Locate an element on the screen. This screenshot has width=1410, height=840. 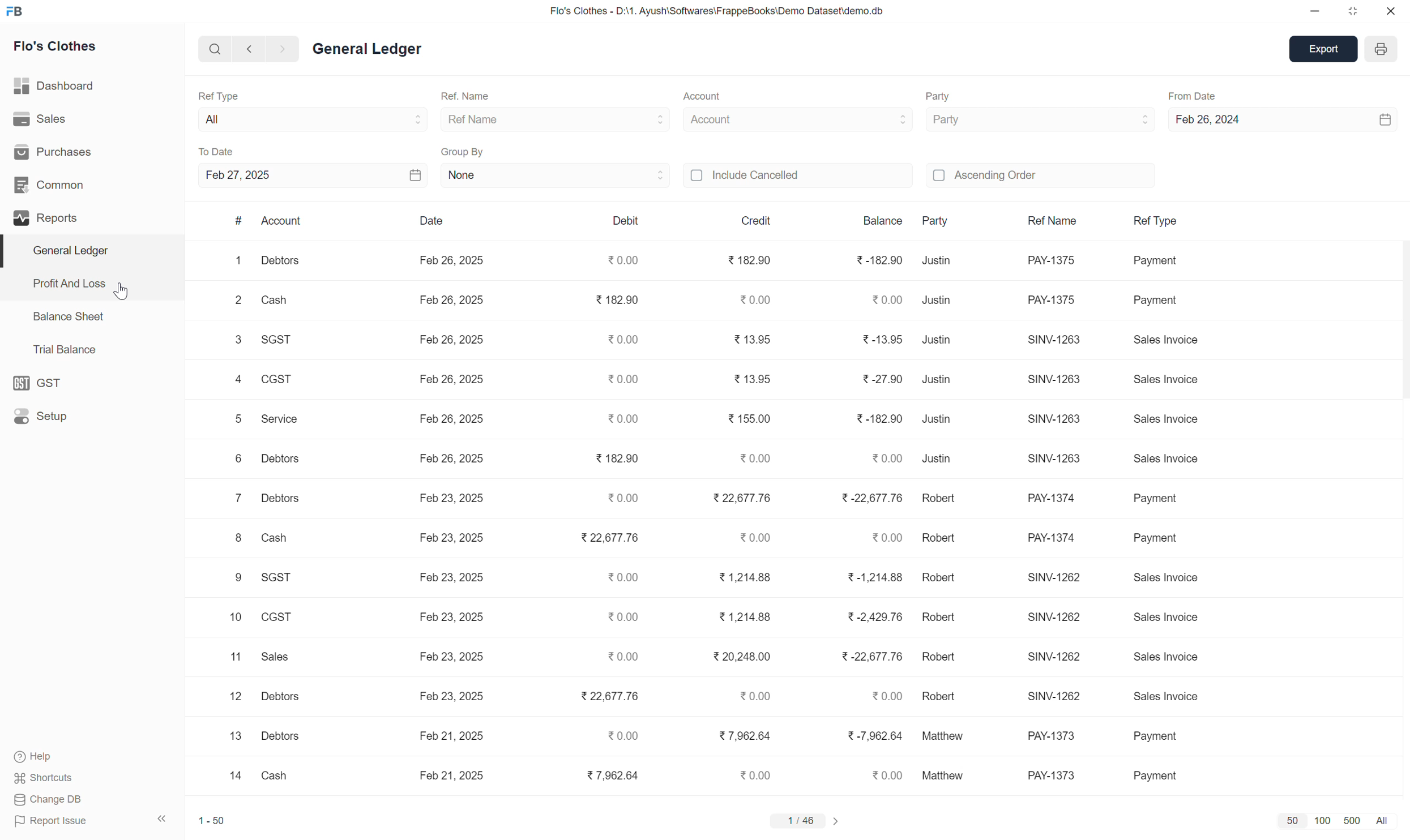
2 is located at coordinates (237, 302).